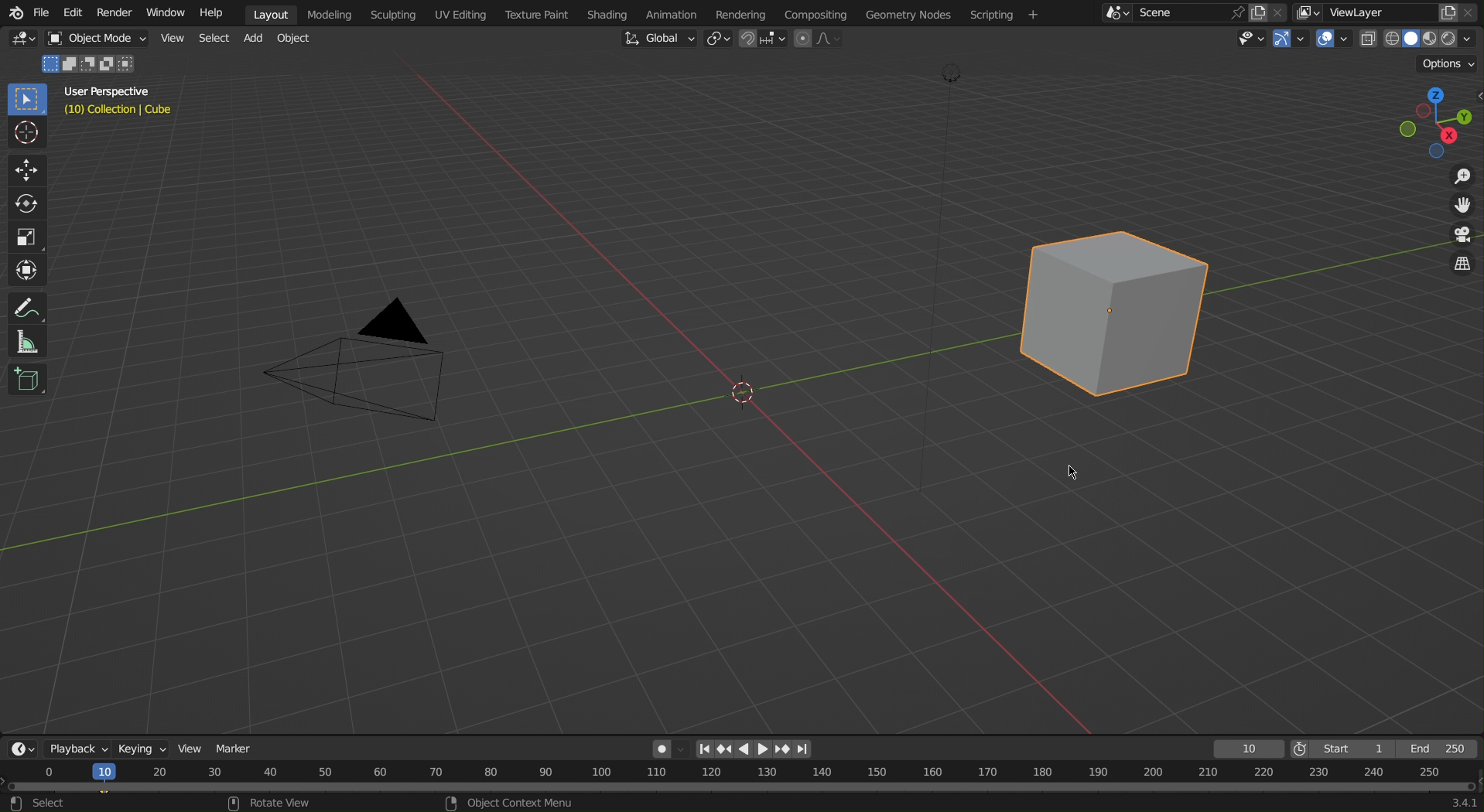 The image size is (1484, 812). Describe the element at coordinates (764, 39) in the screenshot. I see `Snapping` at that location.